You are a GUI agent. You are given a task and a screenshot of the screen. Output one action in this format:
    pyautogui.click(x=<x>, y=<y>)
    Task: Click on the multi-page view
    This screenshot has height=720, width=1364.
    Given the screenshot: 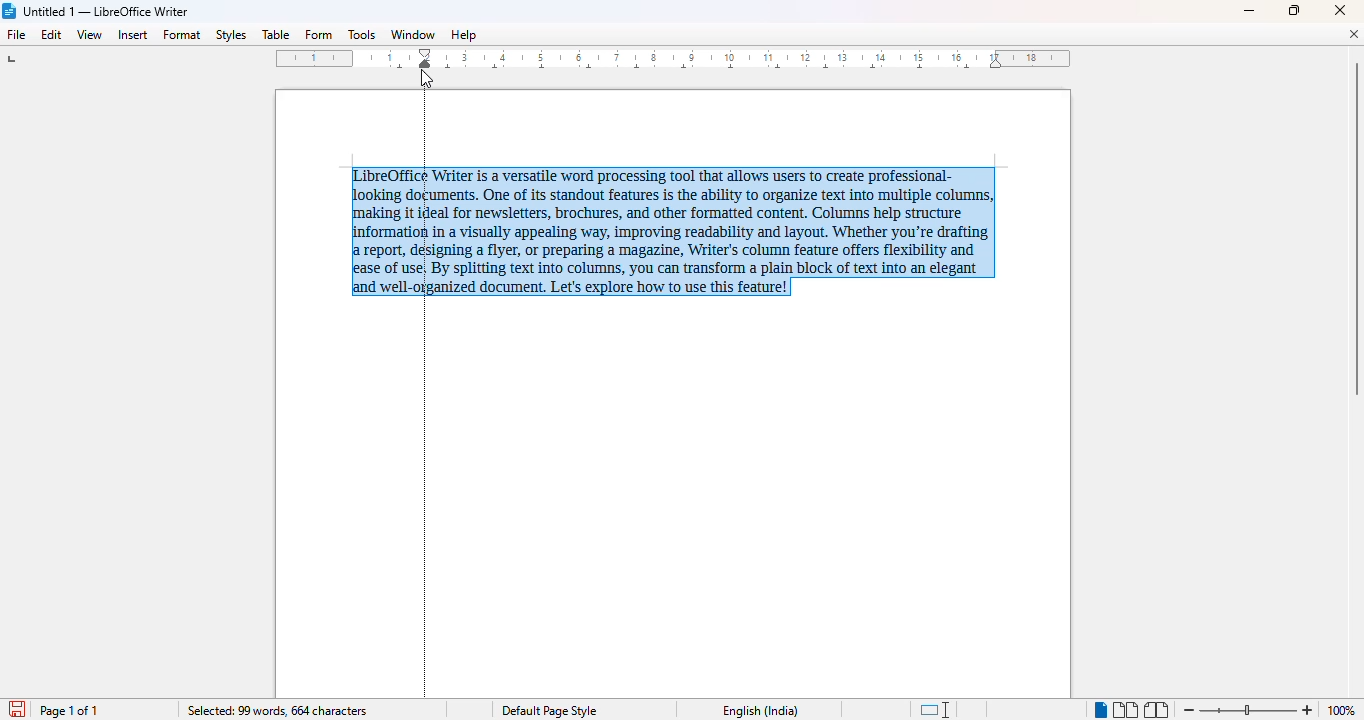 What is the action you would take?
    pyautogui.click(x=1126, y=710)
    